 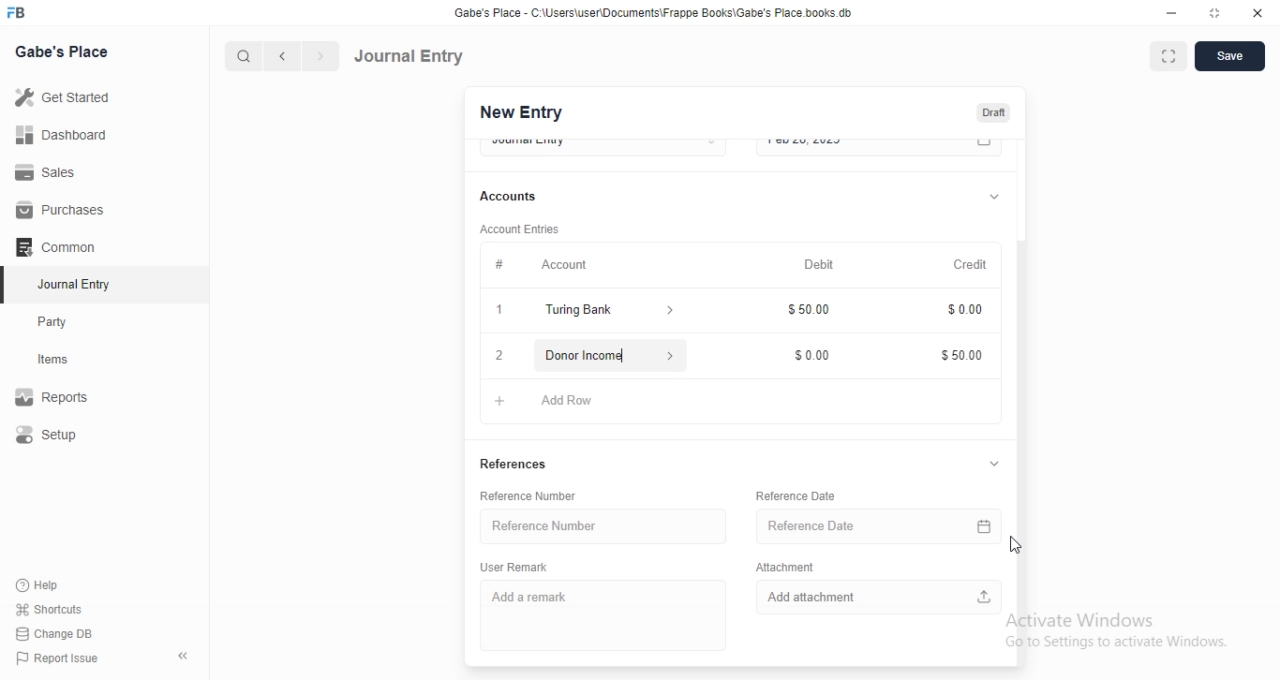 What do you see at coordinates (1258, 14) in the screenshot?
I see `close` at bounding box center [1258, 14].